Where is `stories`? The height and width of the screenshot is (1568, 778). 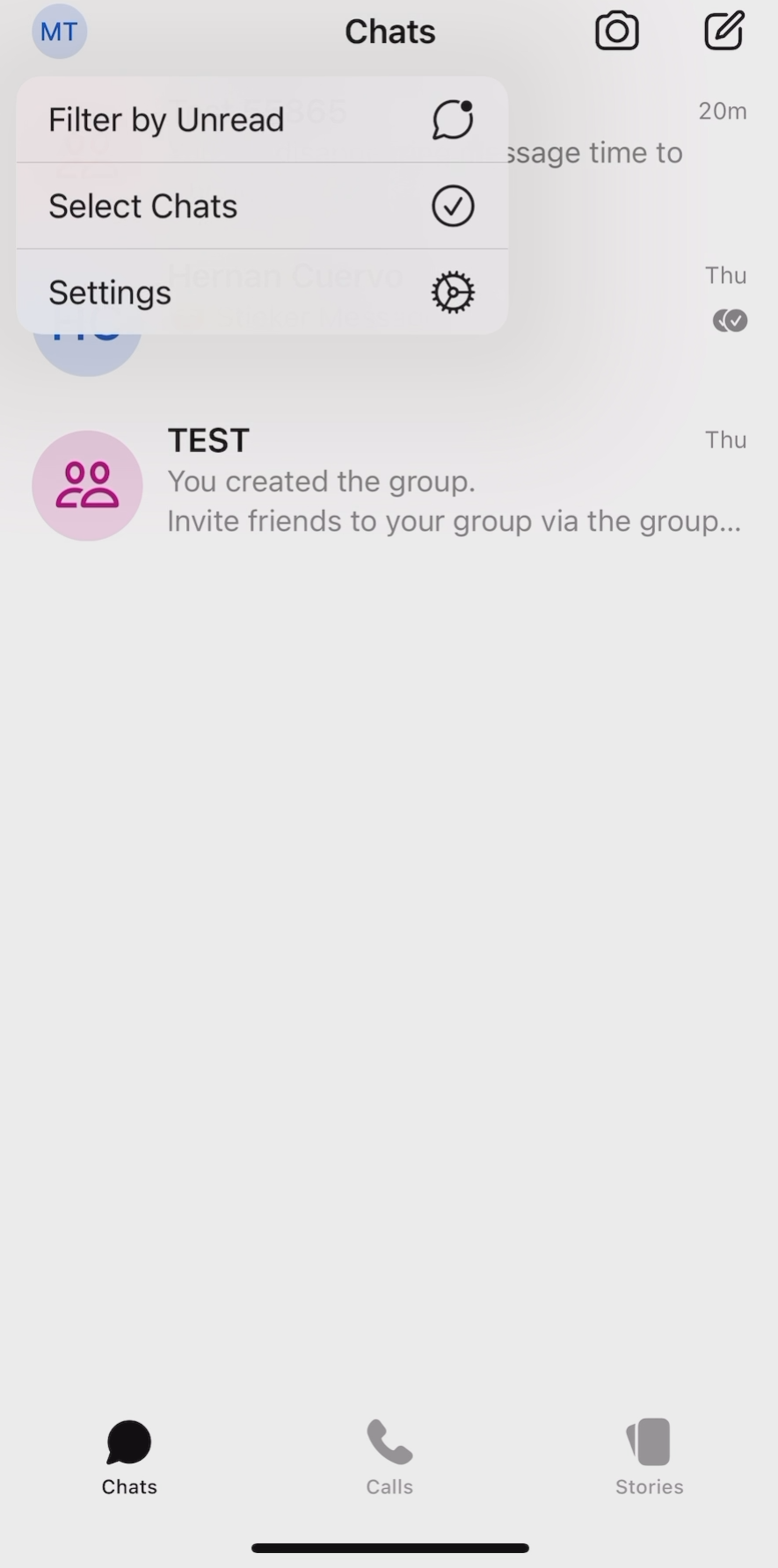 stories is located at coordinates (652, 1461).